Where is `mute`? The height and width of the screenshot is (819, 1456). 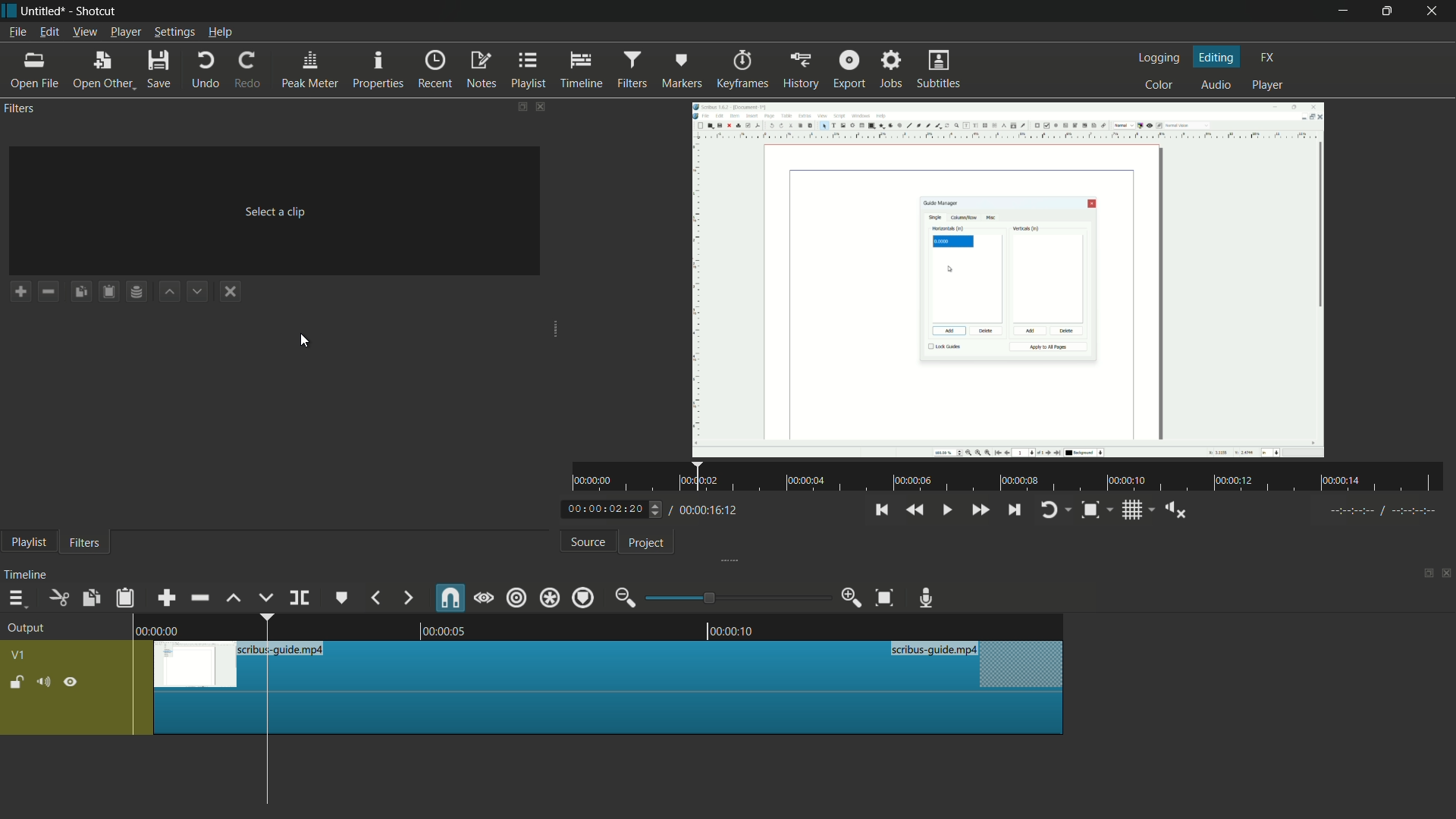
mute is located at coordinates (44, 682).